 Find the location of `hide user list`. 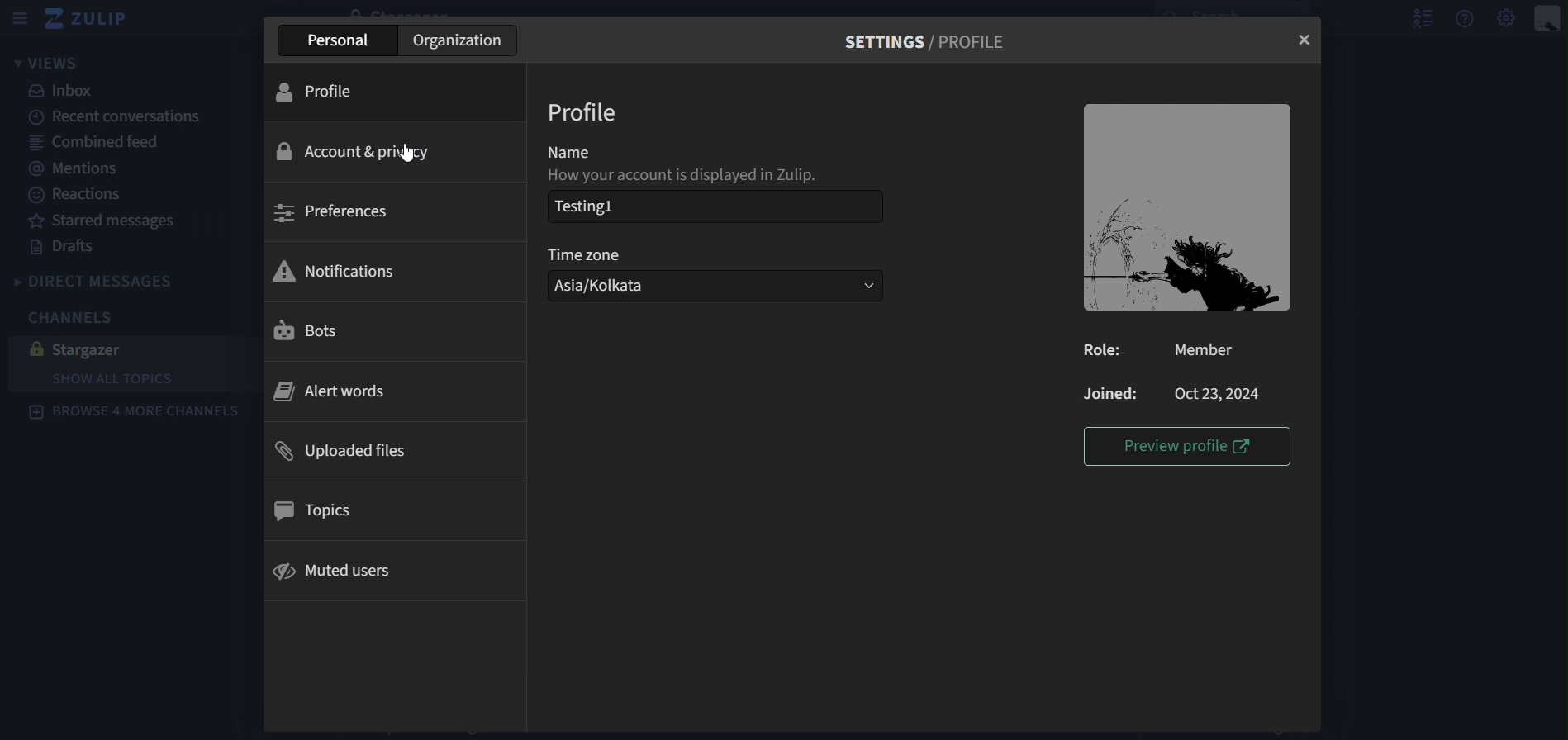

hide user list is located at coordinates (1421, 18).